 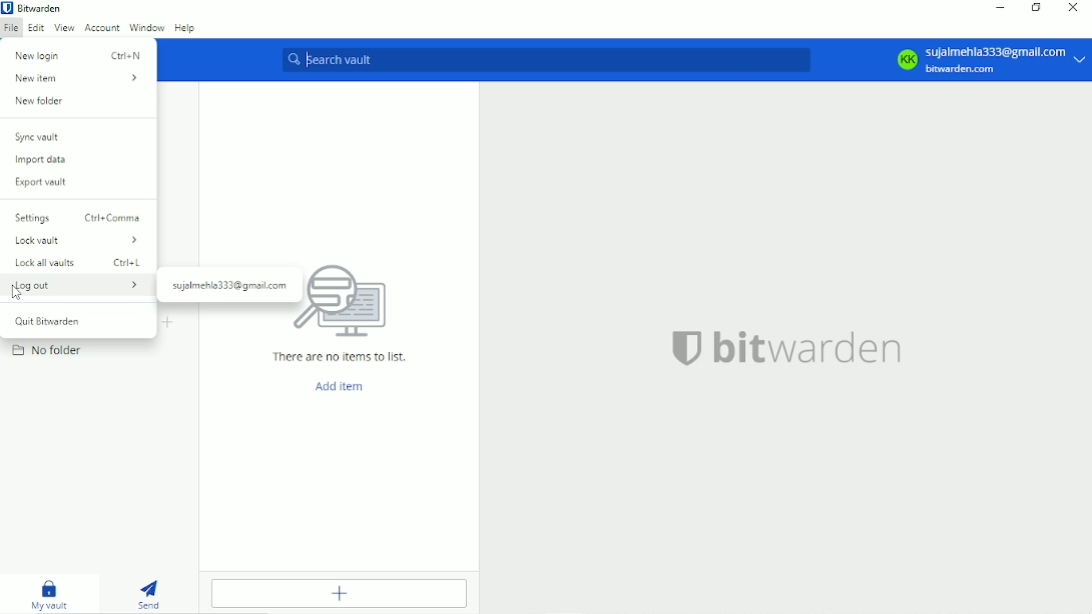 What do you see at coordinates (1074, 9) in the screenshot?
I see `Close` at bounding box center [1074, 9].